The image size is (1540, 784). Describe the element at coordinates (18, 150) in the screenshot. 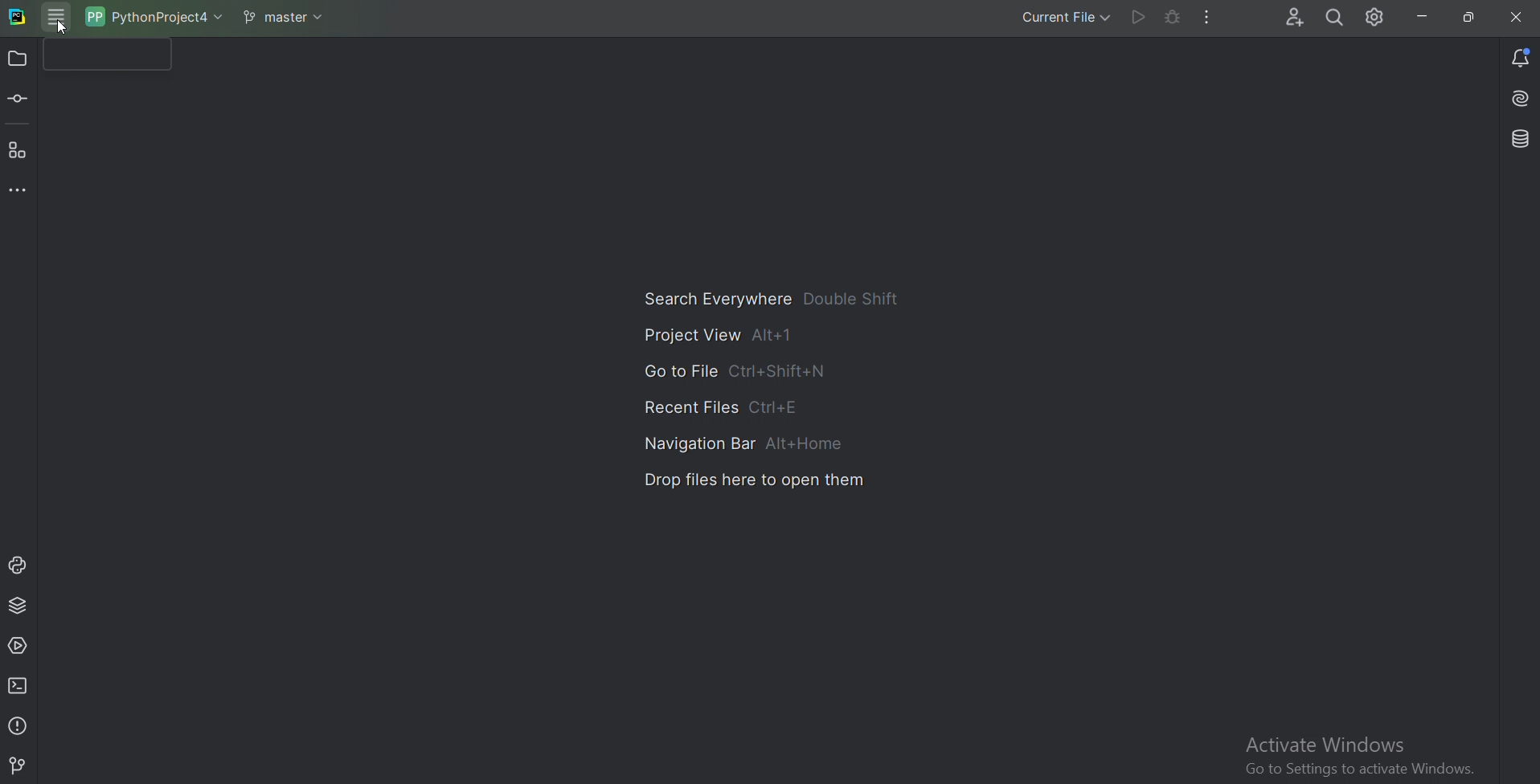

I see `Structure` at that location.